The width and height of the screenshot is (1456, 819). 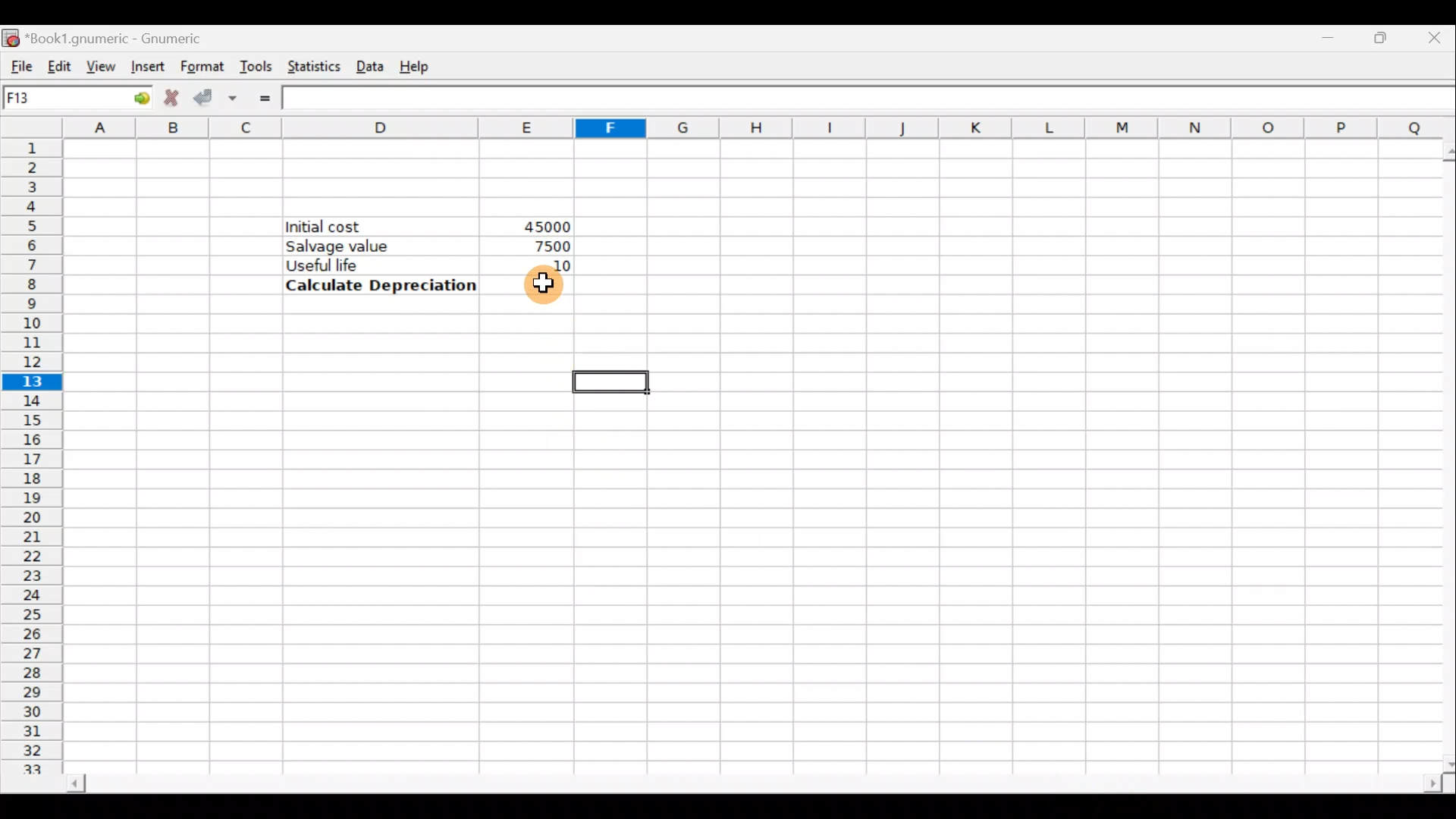 I want to click on Columns, so click(x=752, y=127).